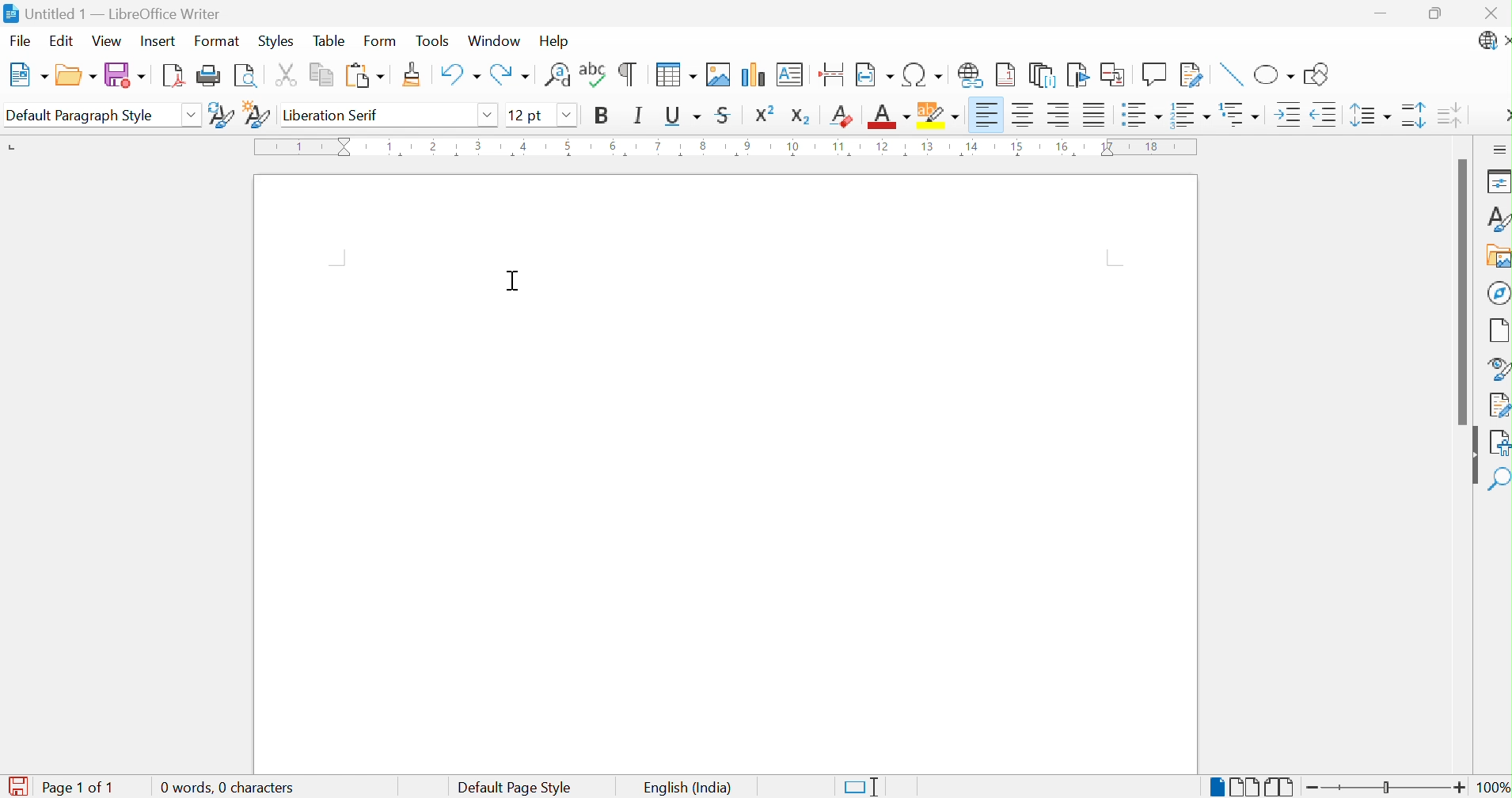 Image resolution: width=1512 pixels, height=798 pixels. I want to click on Insert Footnote, so click(1006, 75).